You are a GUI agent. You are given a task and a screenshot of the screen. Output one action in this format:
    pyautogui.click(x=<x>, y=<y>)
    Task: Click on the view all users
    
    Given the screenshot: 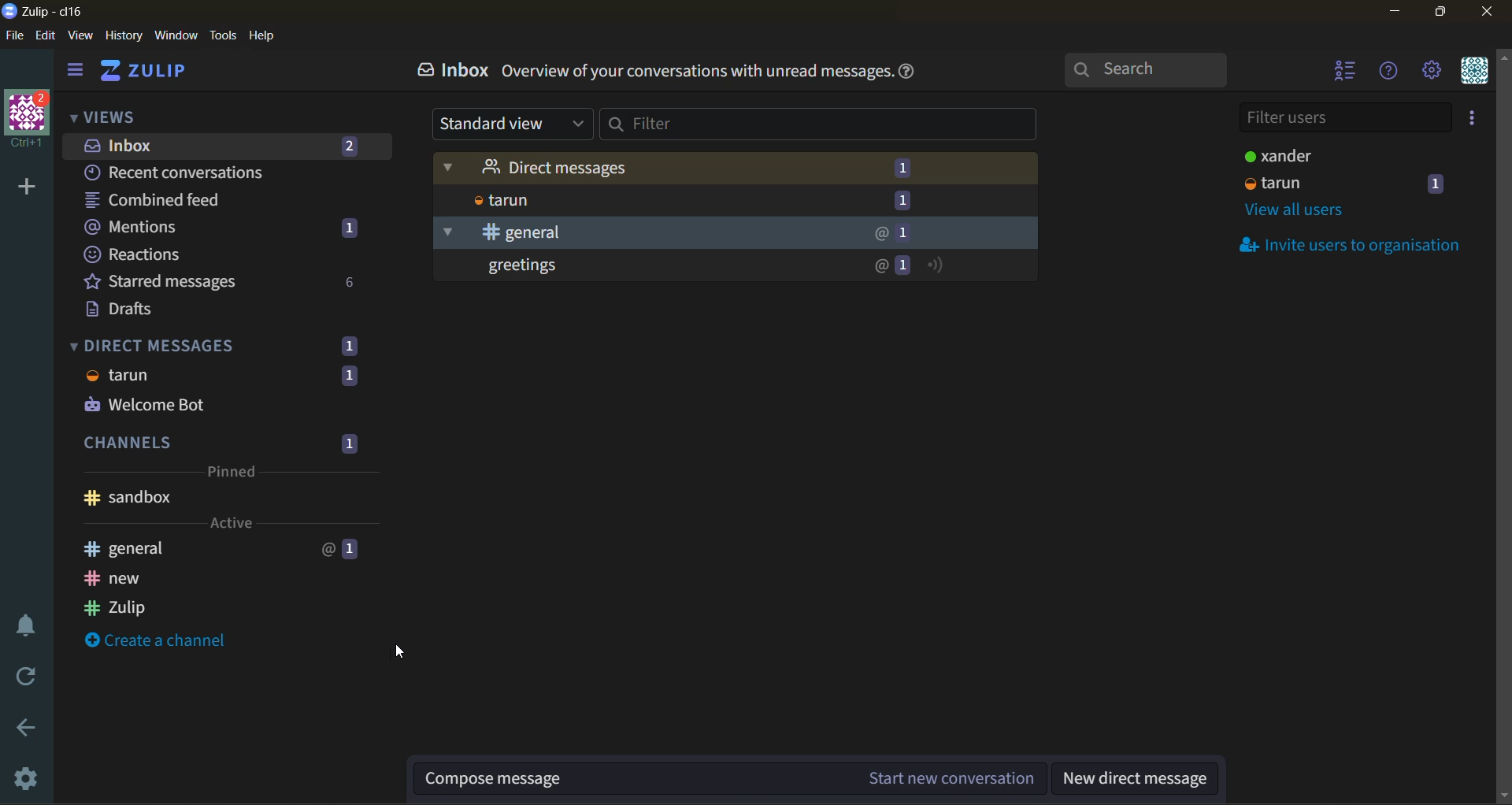 What is the action you would take?
    pyautogui.click(x=1295, y=213)
    